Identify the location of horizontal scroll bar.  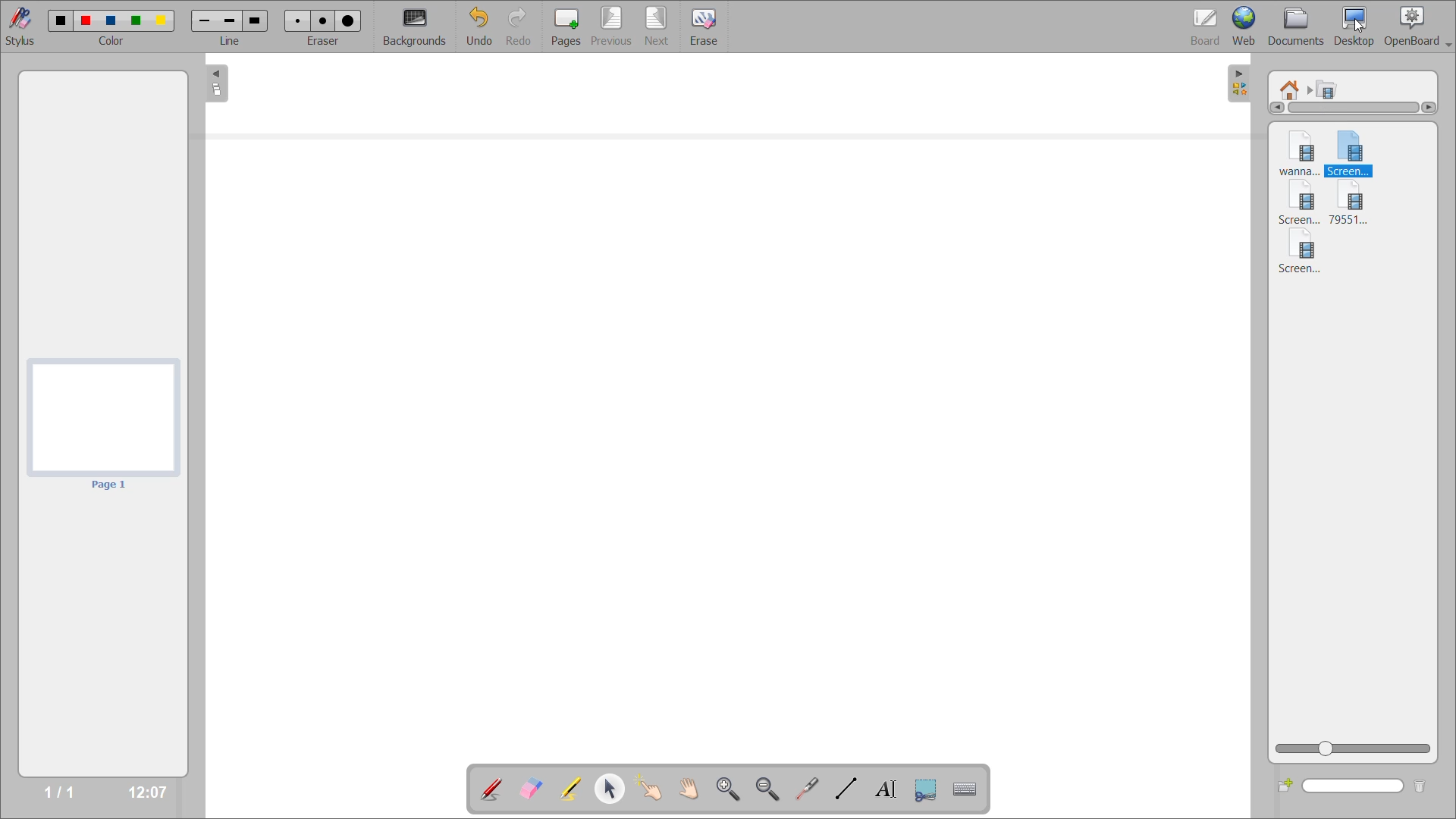
(1354, 109).